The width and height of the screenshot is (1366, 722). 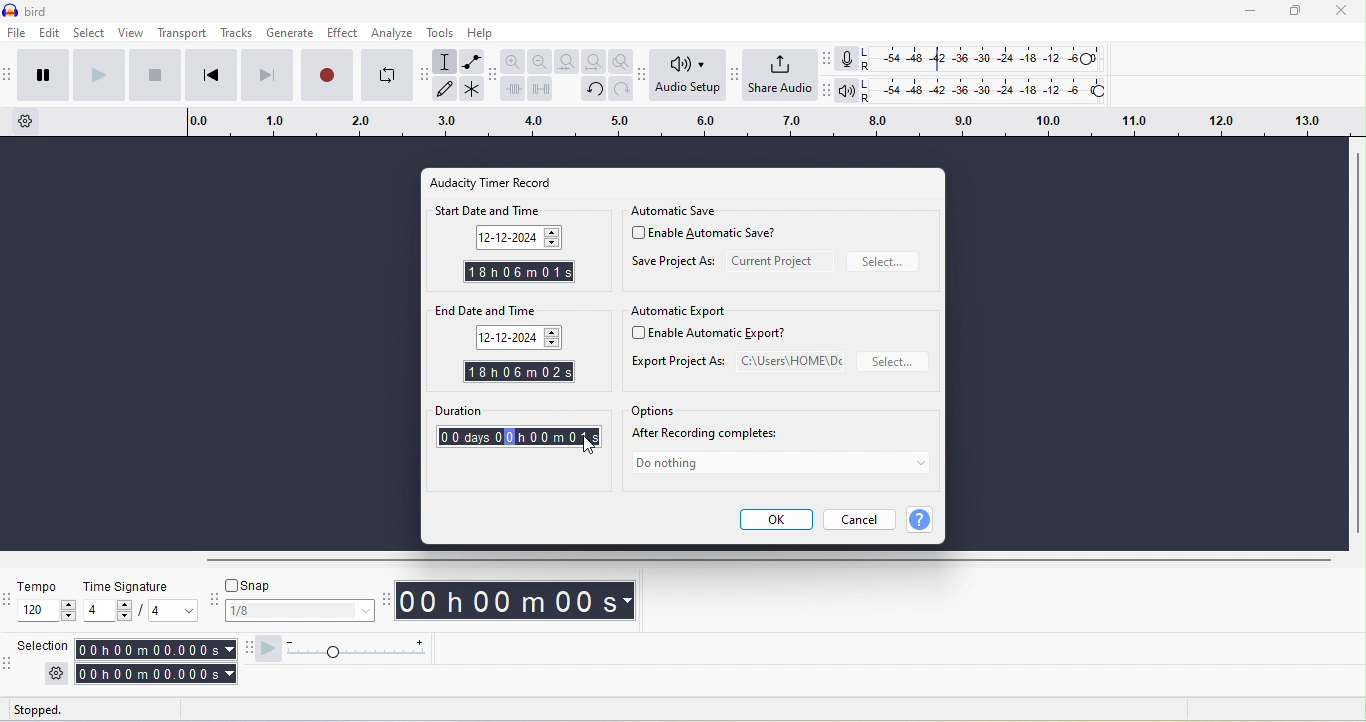 I want to click on enable looping, so click(x=383, y=78).